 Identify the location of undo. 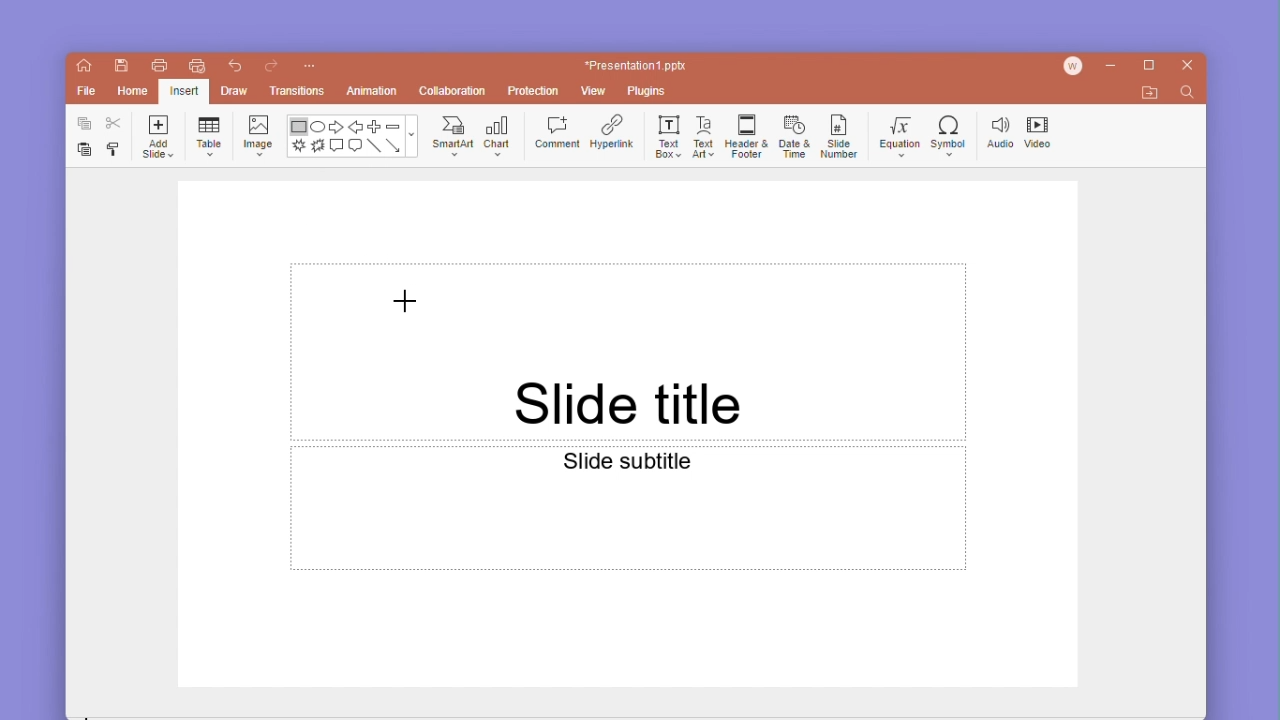
(233, 65).